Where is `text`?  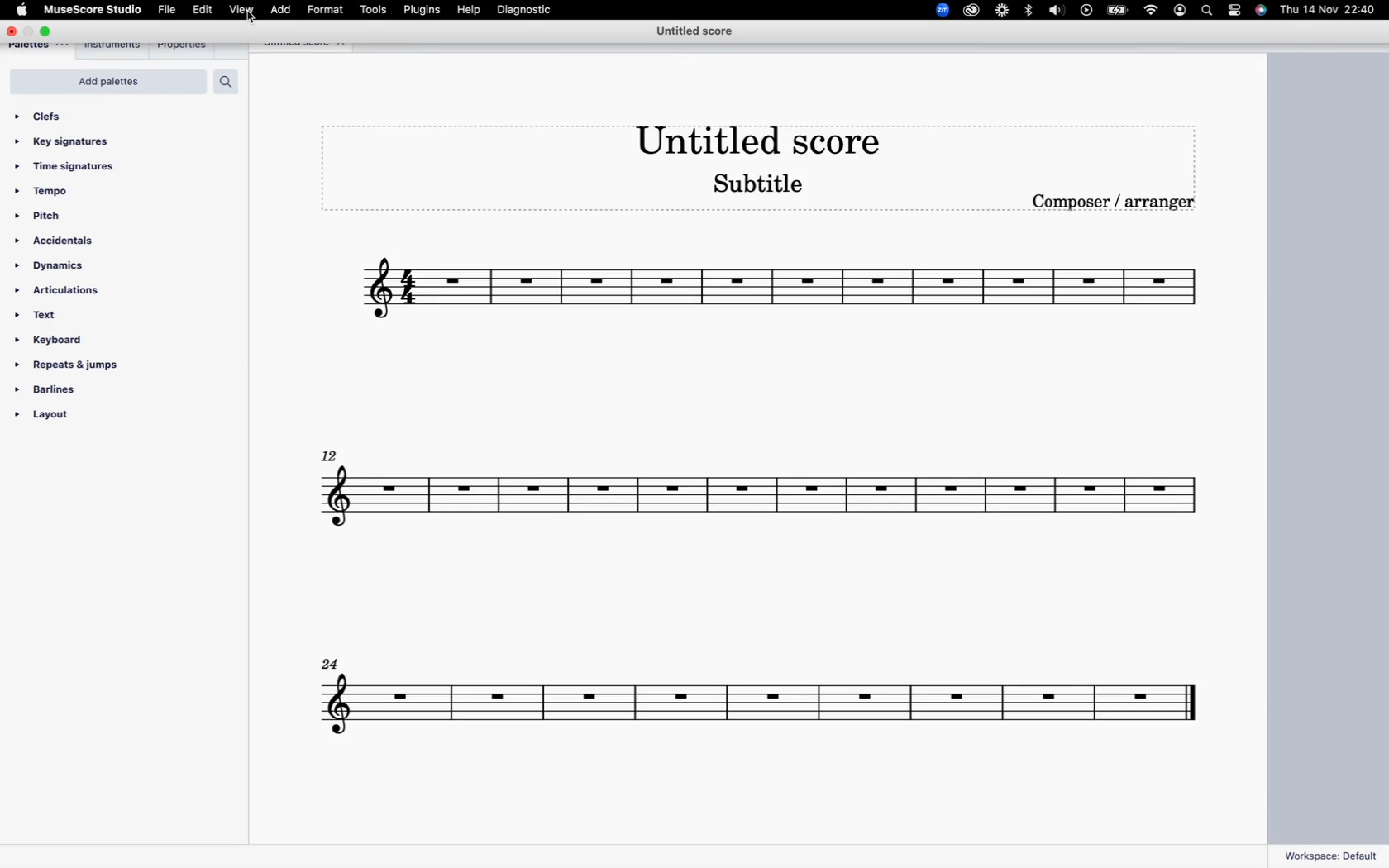 text is located at coordinates (41, 314).